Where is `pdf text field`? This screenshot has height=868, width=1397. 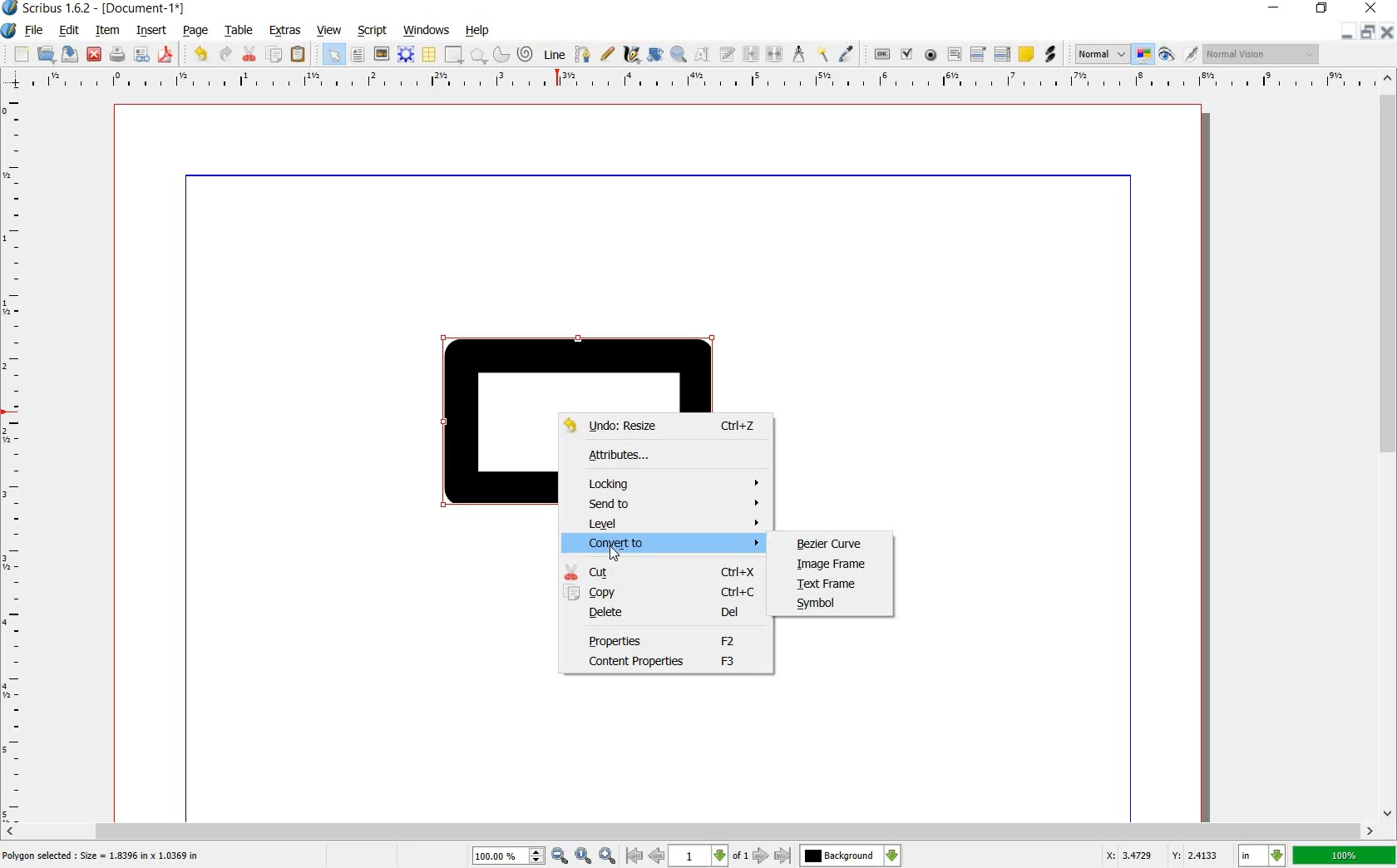
pdf text field is located at coordinates (955, 55).